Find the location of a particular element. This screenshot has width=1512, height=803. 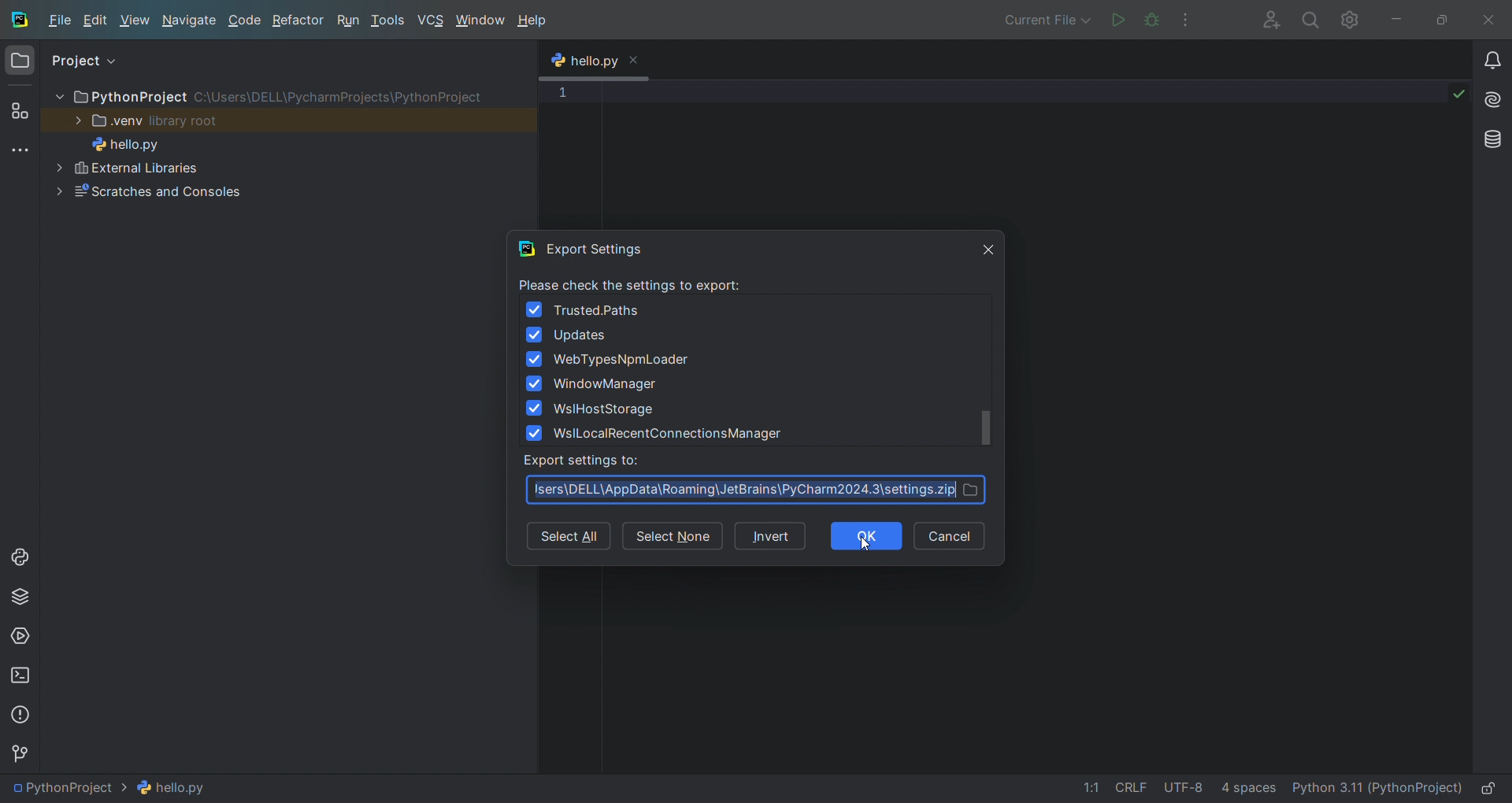

code is located at coordinates (246, 20).